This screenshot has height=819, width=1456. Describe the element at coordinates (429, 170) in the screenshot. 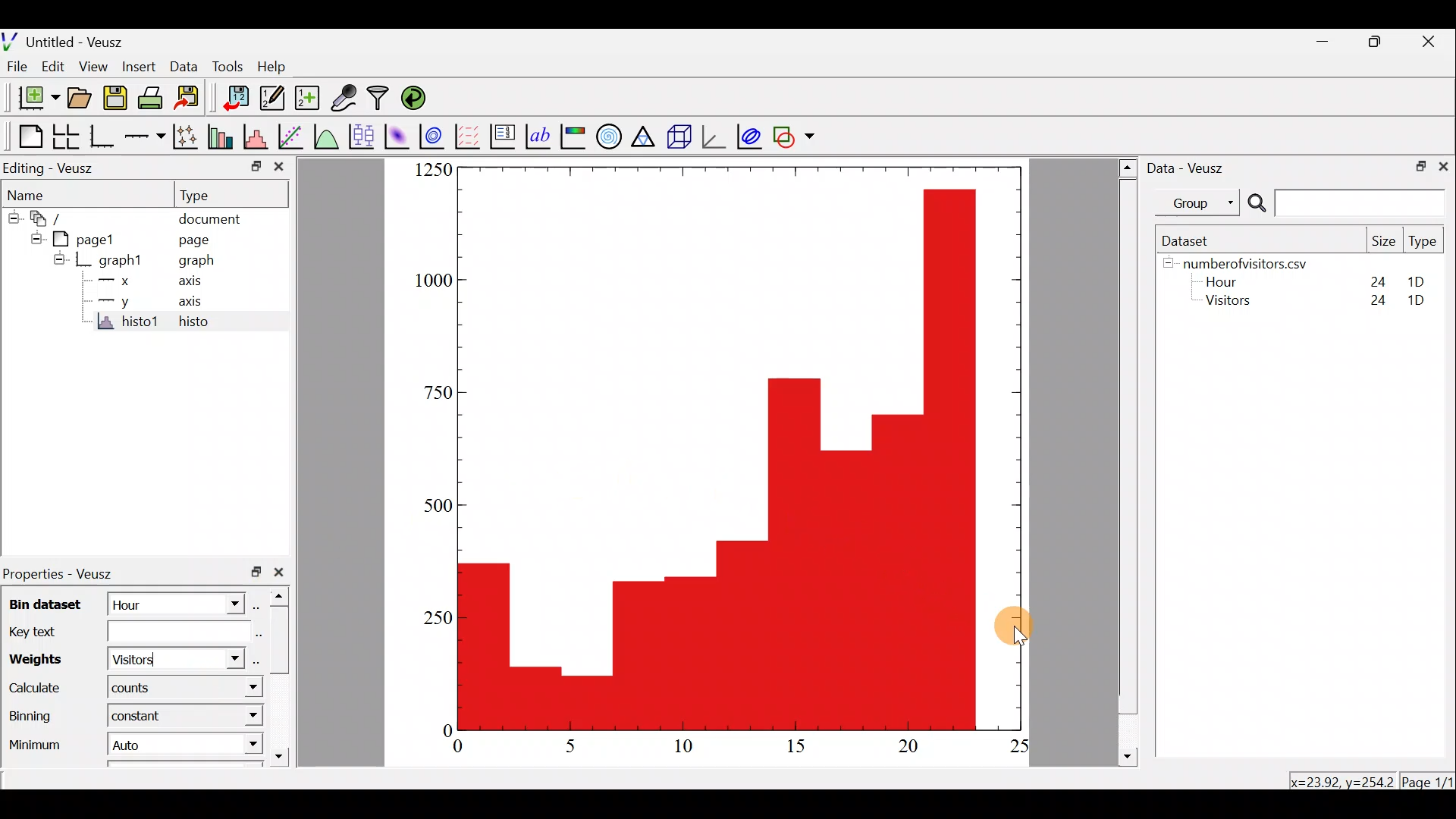

I see `1250` at that location.